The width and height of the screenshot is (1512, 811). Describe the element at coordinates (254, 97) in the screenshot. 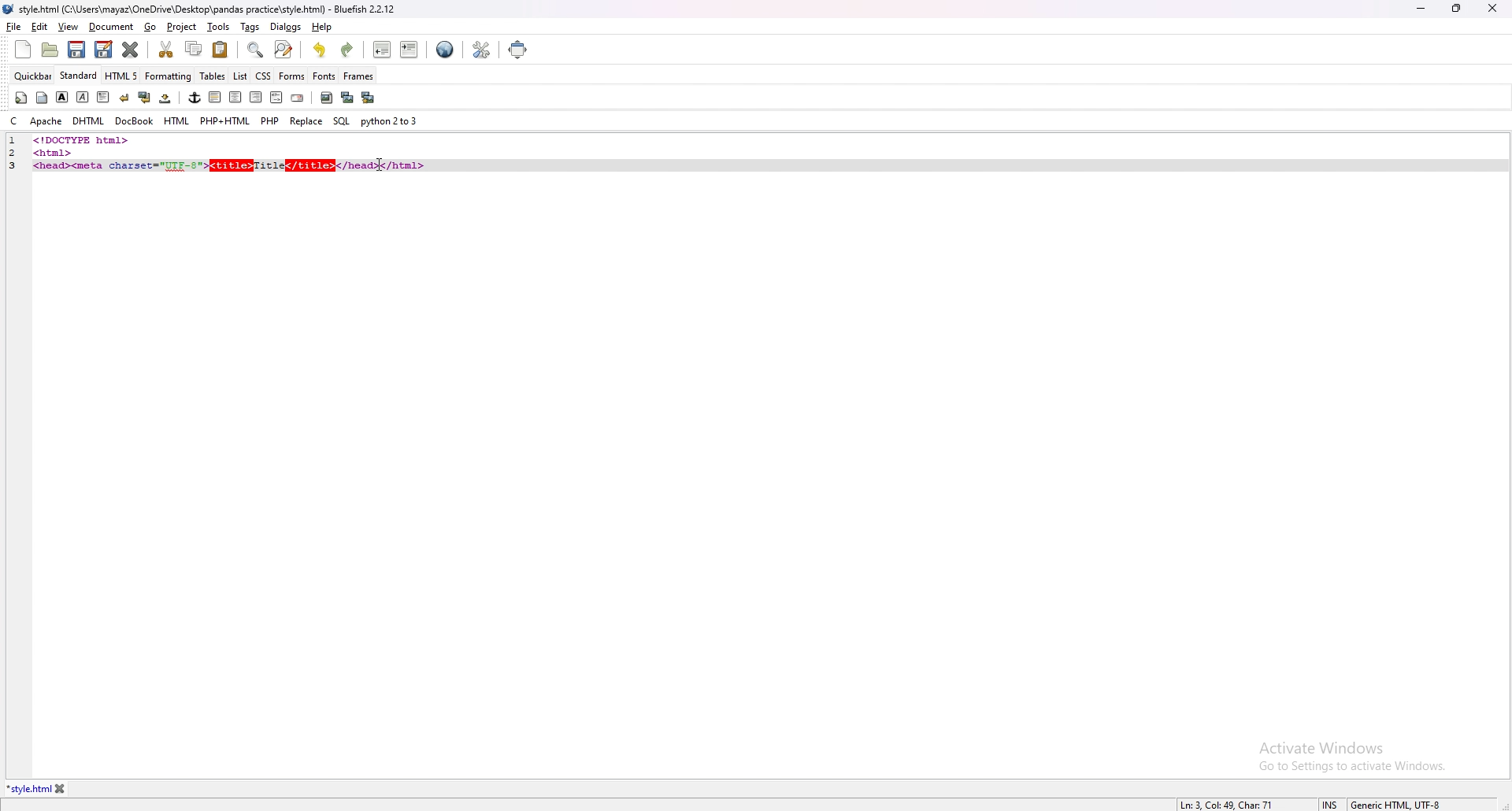

I see `right indent` at that location.